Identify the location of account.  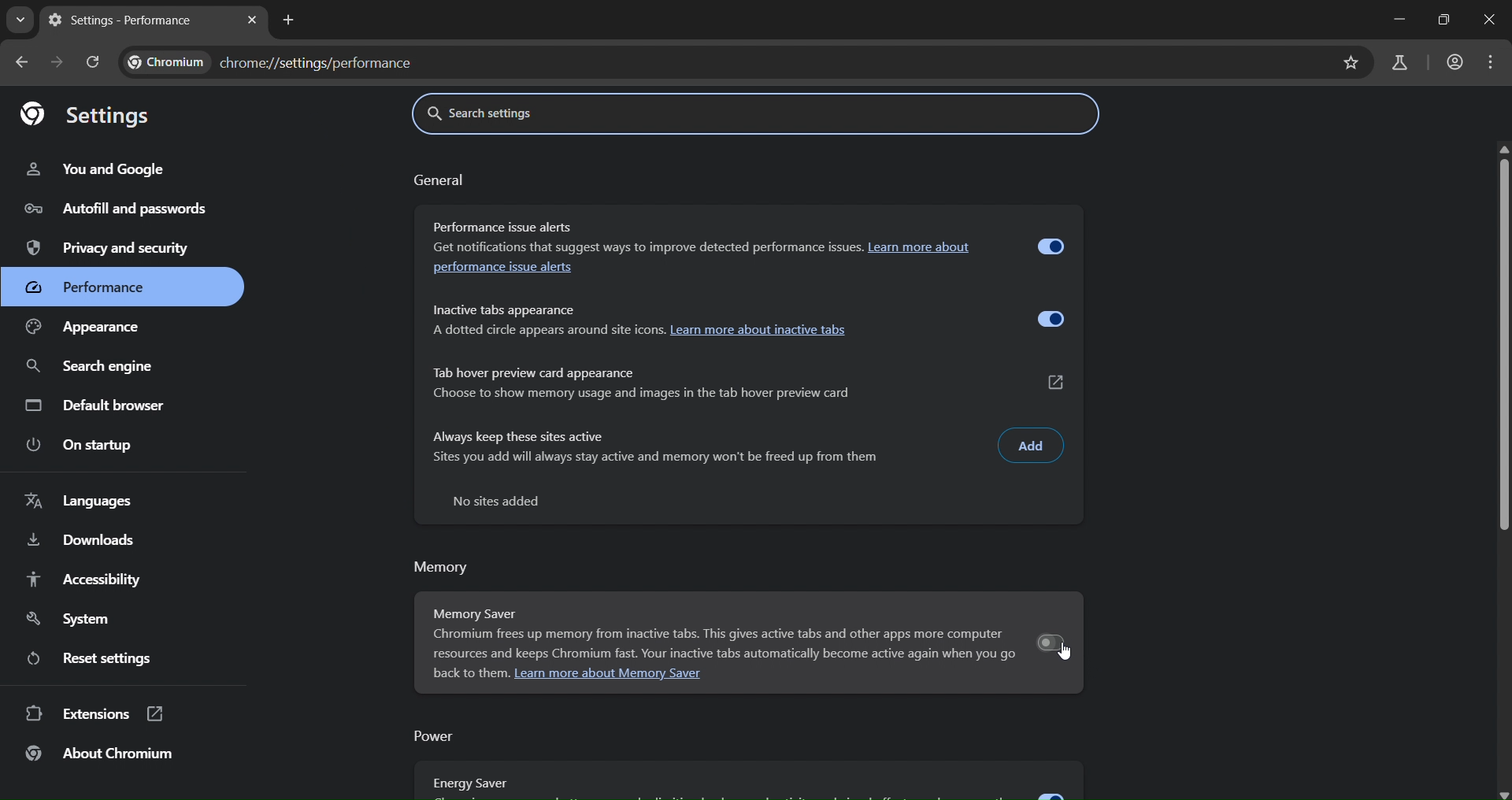
(1456, 59).